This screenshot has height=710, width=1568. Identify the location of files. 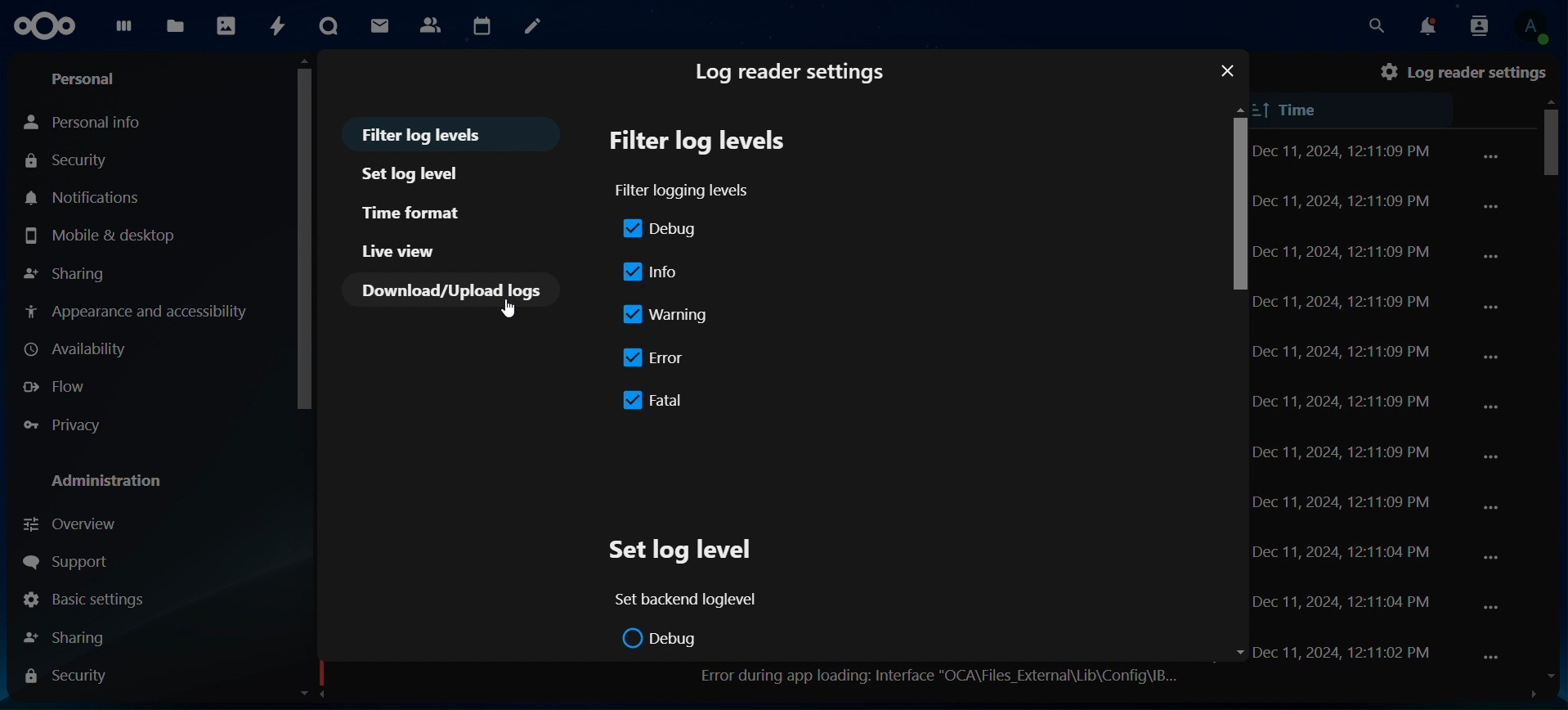
(174, 26).